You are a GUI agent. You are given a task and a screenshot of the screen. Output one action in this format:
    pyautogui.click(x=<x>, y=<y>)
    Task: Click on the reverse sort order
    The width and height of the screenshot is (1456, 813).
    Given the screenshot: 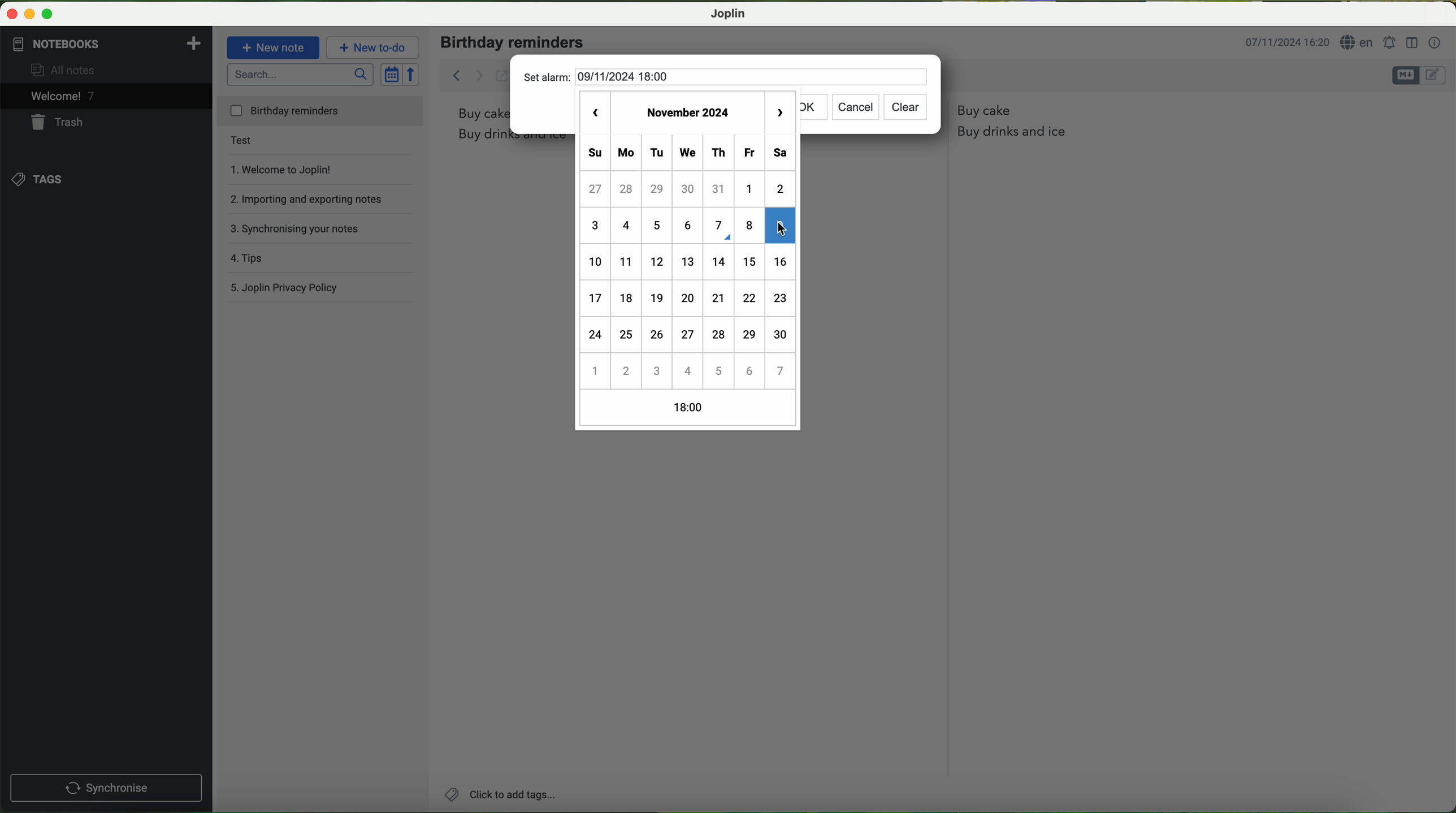 What is the action you would take?
    pyautogui.click(x=412, y=73)
    